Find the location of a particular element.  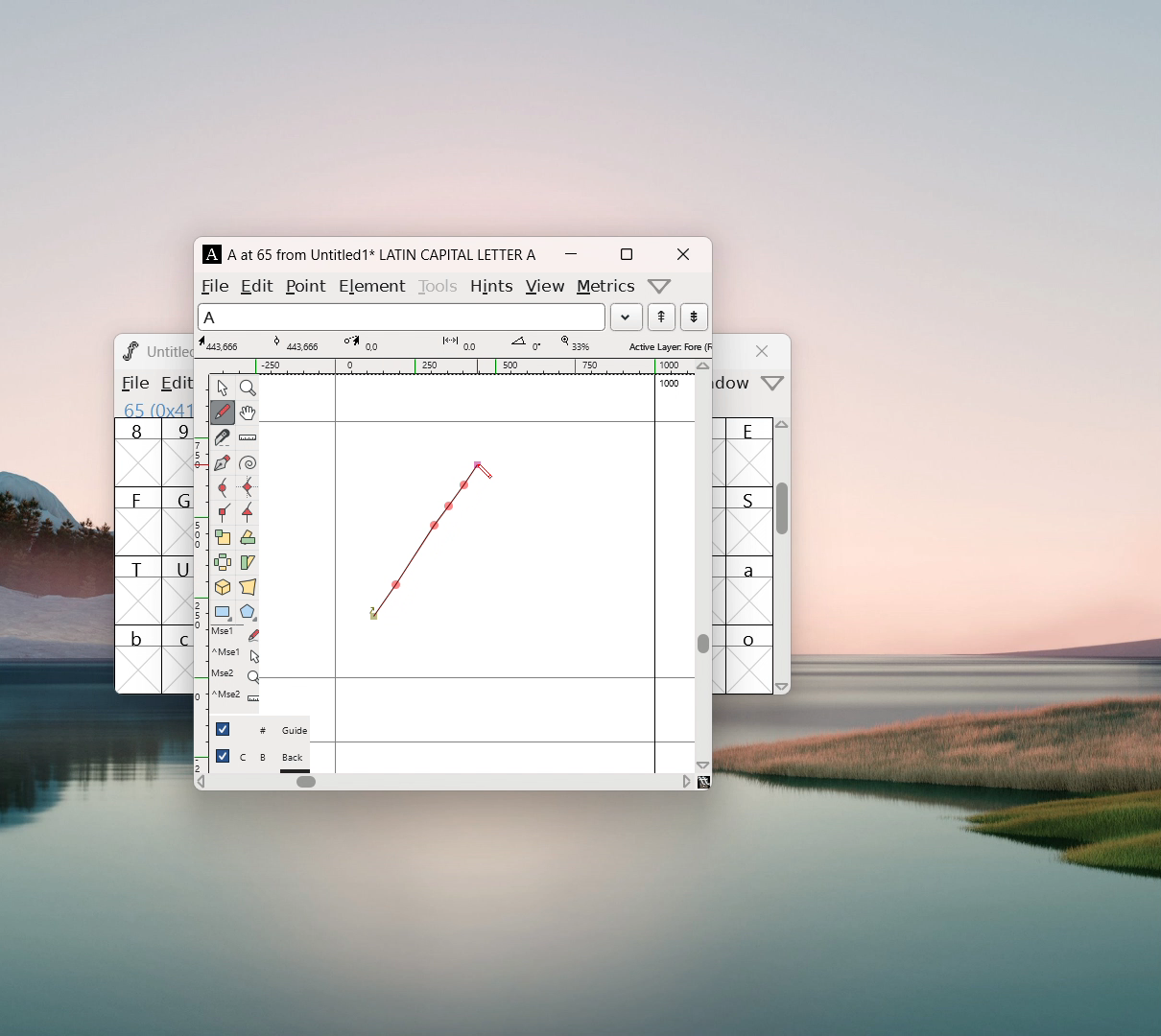

checkbox is located at coordinates (223, 728).